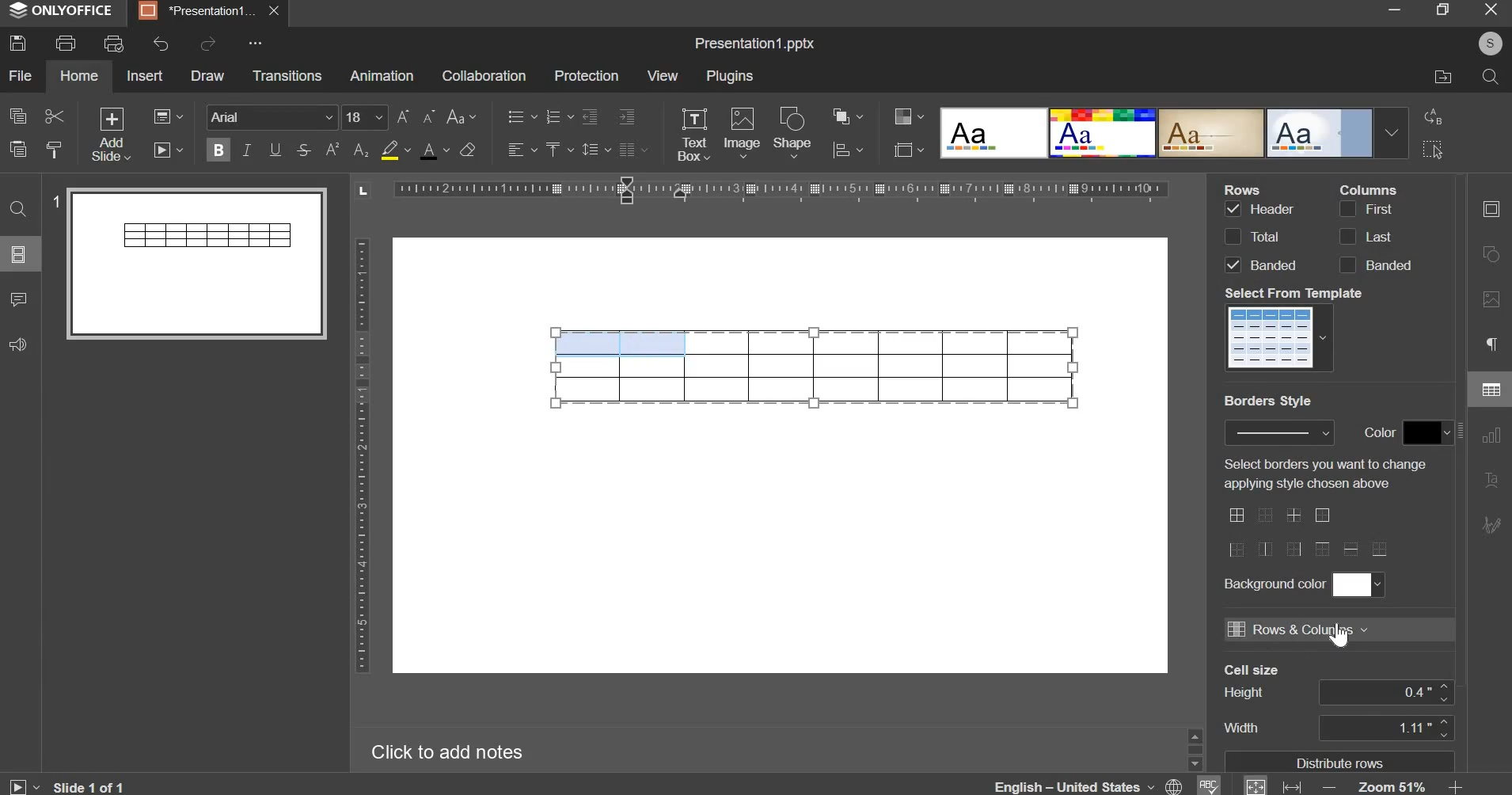 The width and height of the screenshot is (1512, 795). I want to click on design, so click(1173, 131).